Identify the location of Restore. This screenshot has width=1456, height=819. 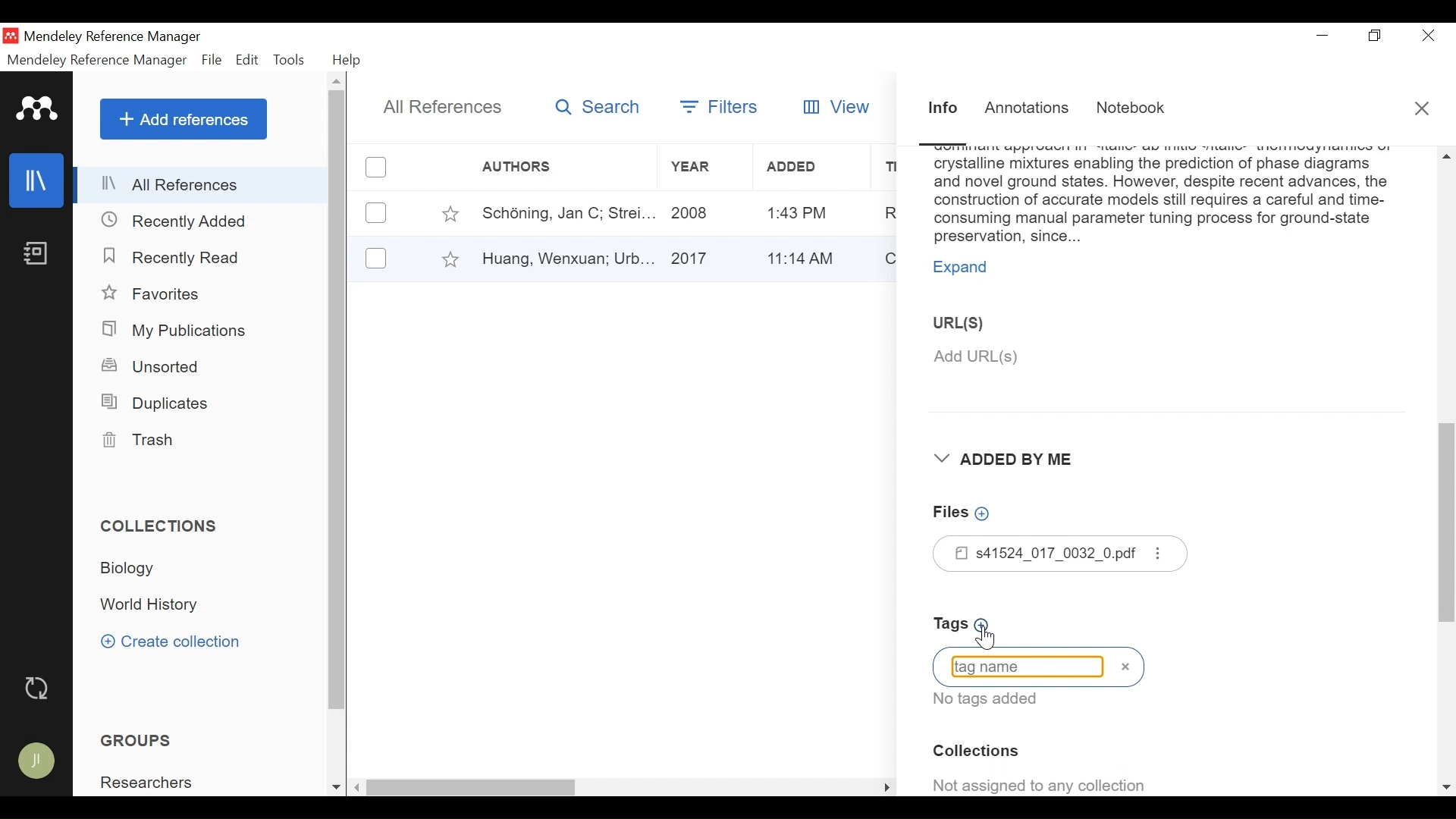
(1377, 36).